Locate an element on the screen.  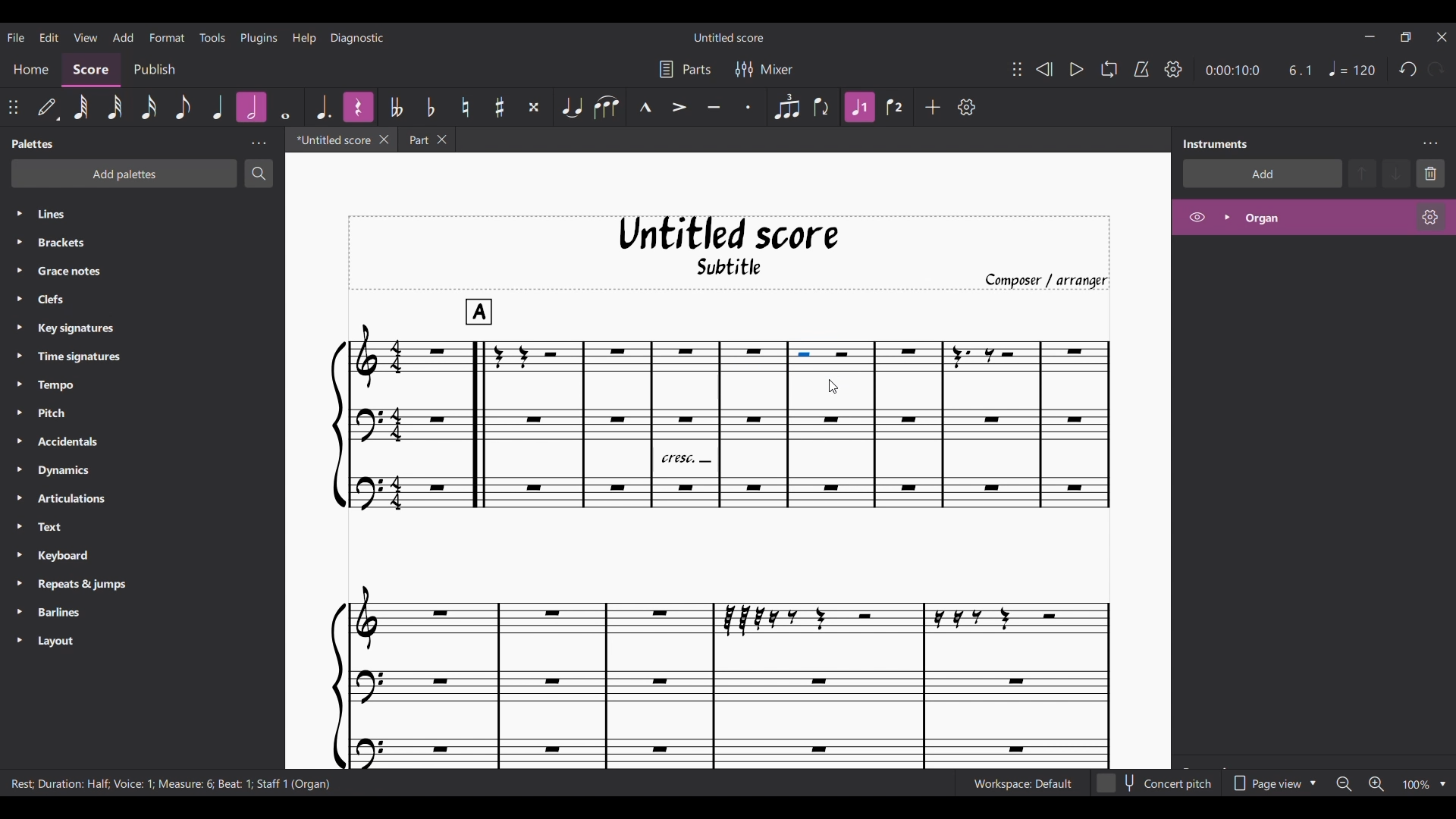
Current ratio and duration of score is located at coordinates (1259, 71).